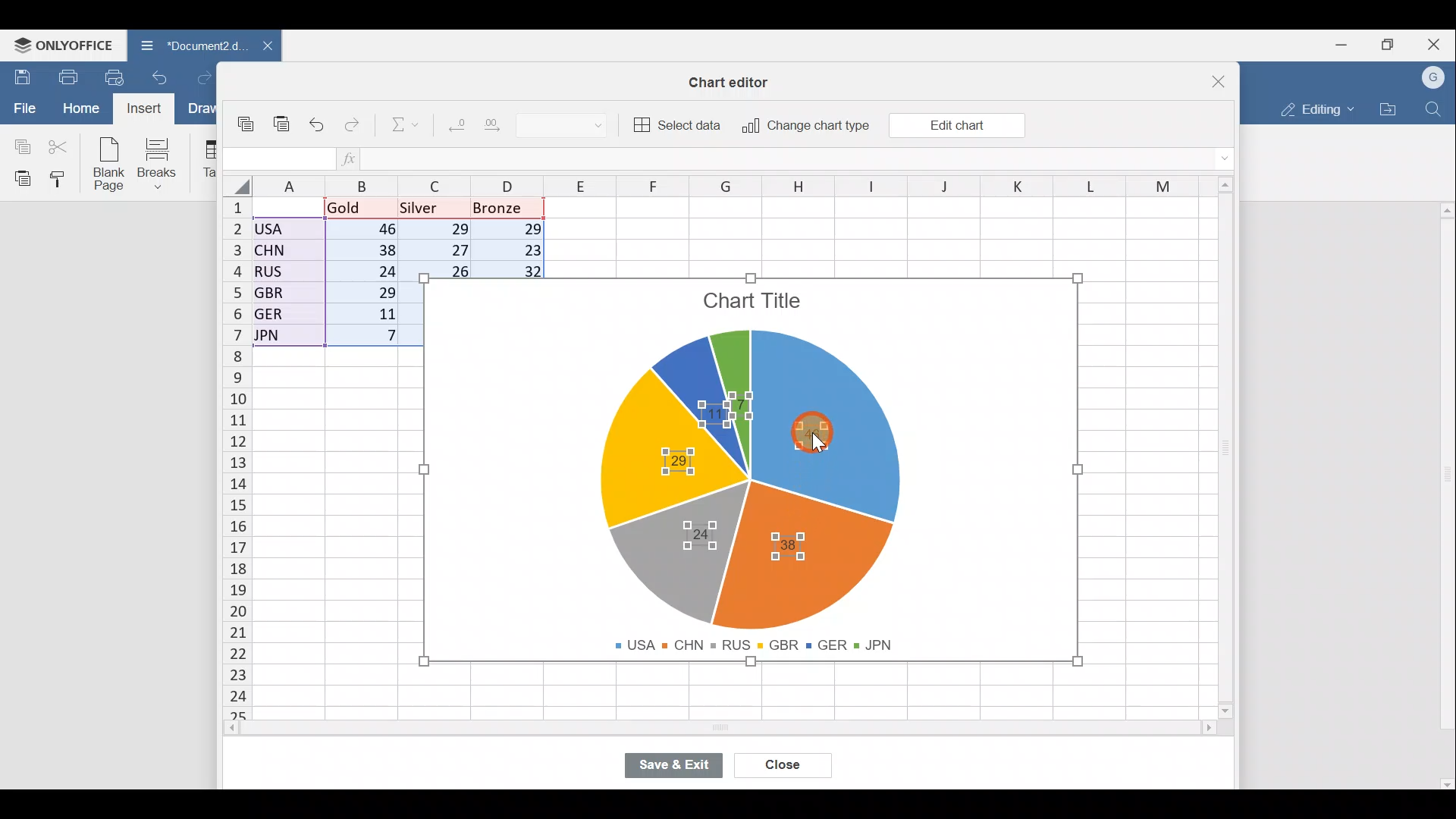 The image size is (1456, 819). Describe the element at coordinates (965, 127) in the screenshot. I see `Cursor on Edit chart` at that location.